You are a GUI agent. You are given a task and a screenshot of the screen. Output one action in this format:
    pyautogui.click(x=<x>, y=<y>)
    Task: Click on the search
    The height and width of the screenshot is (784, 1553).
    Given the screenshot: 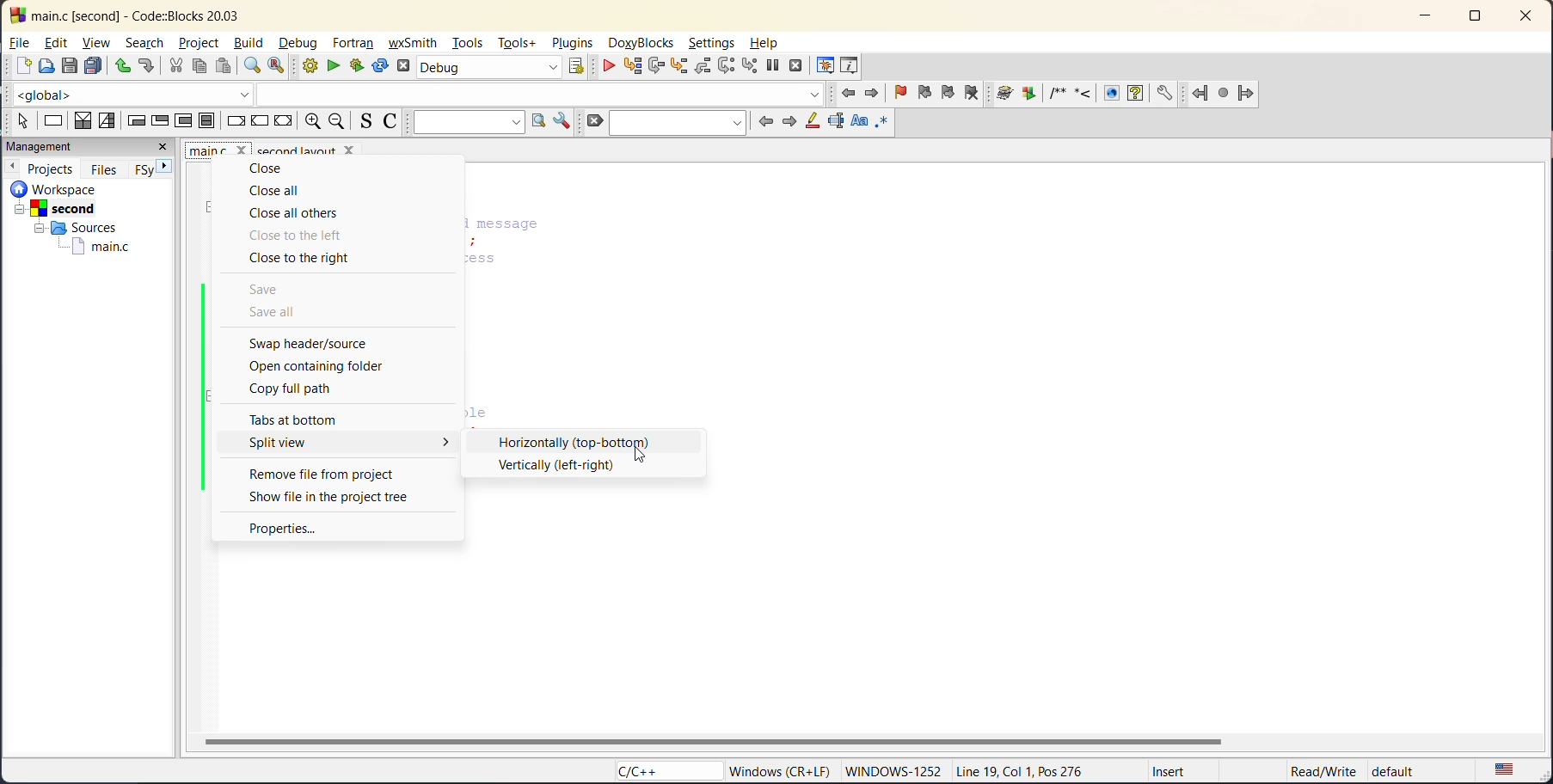 What is the action you would take?
    pyautogui.click(x=677, y=123)
    